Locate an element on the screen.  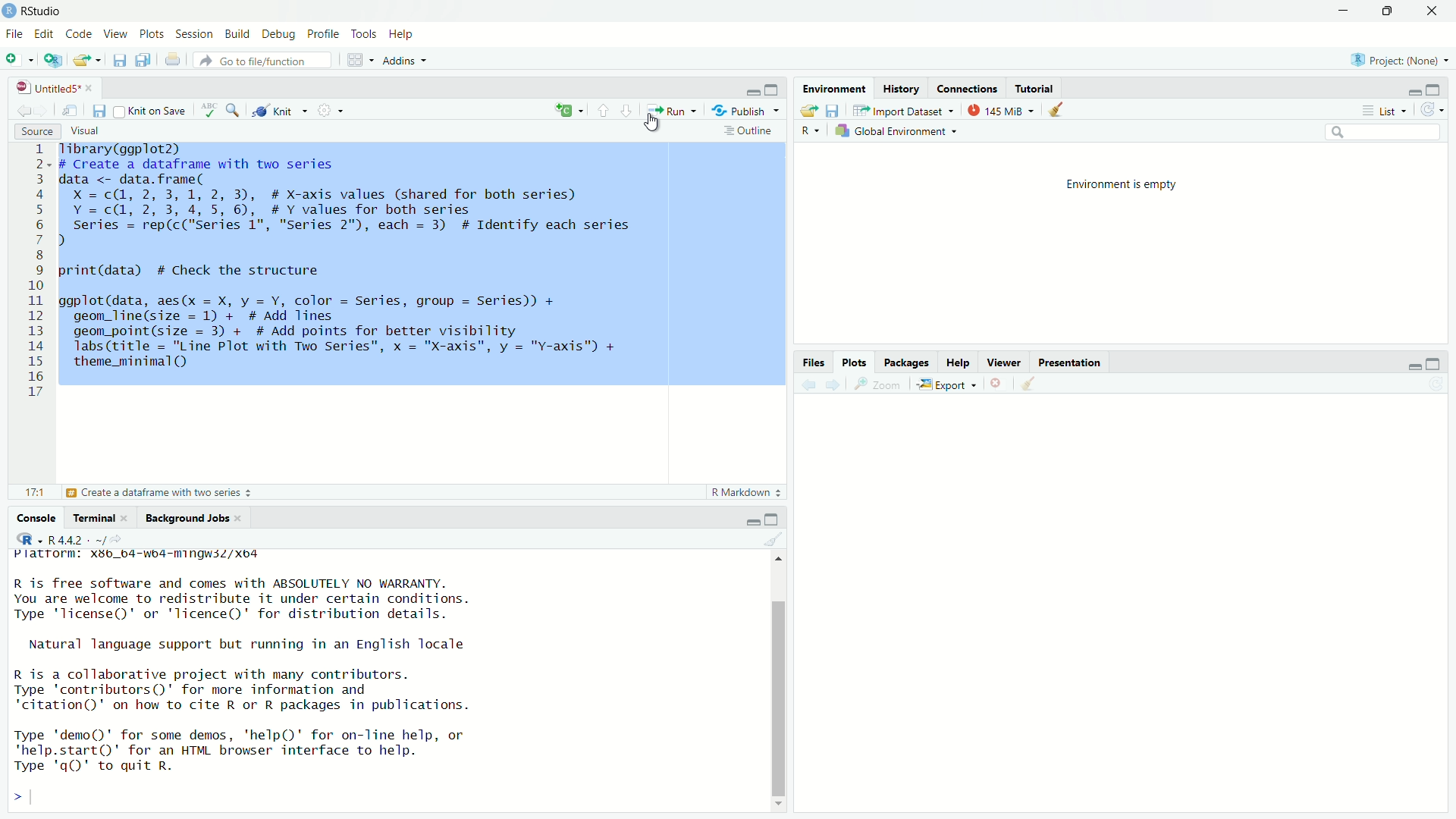
Viewer is located at coordinates (1003, 362).